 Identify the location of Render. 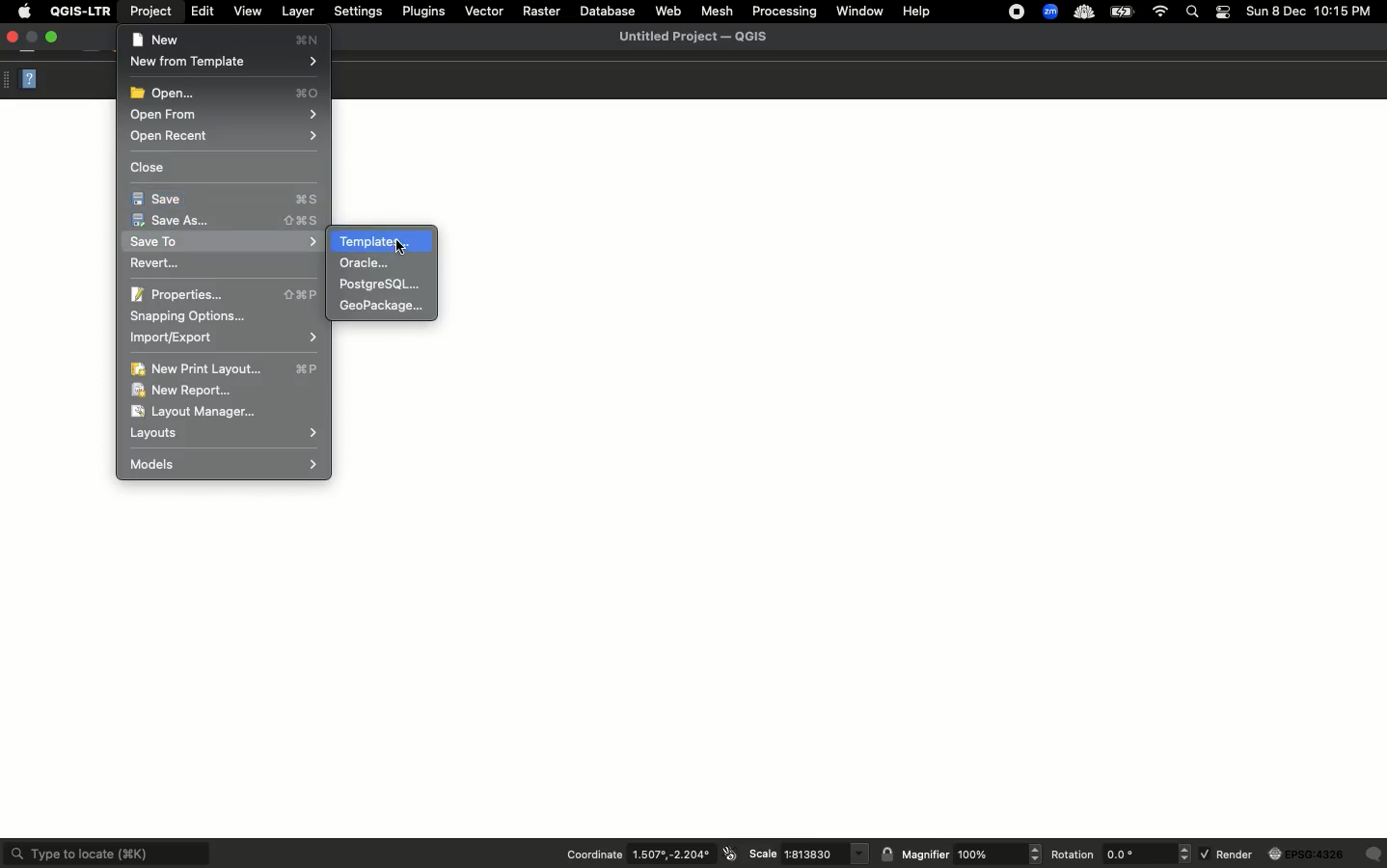
(1228, 854).